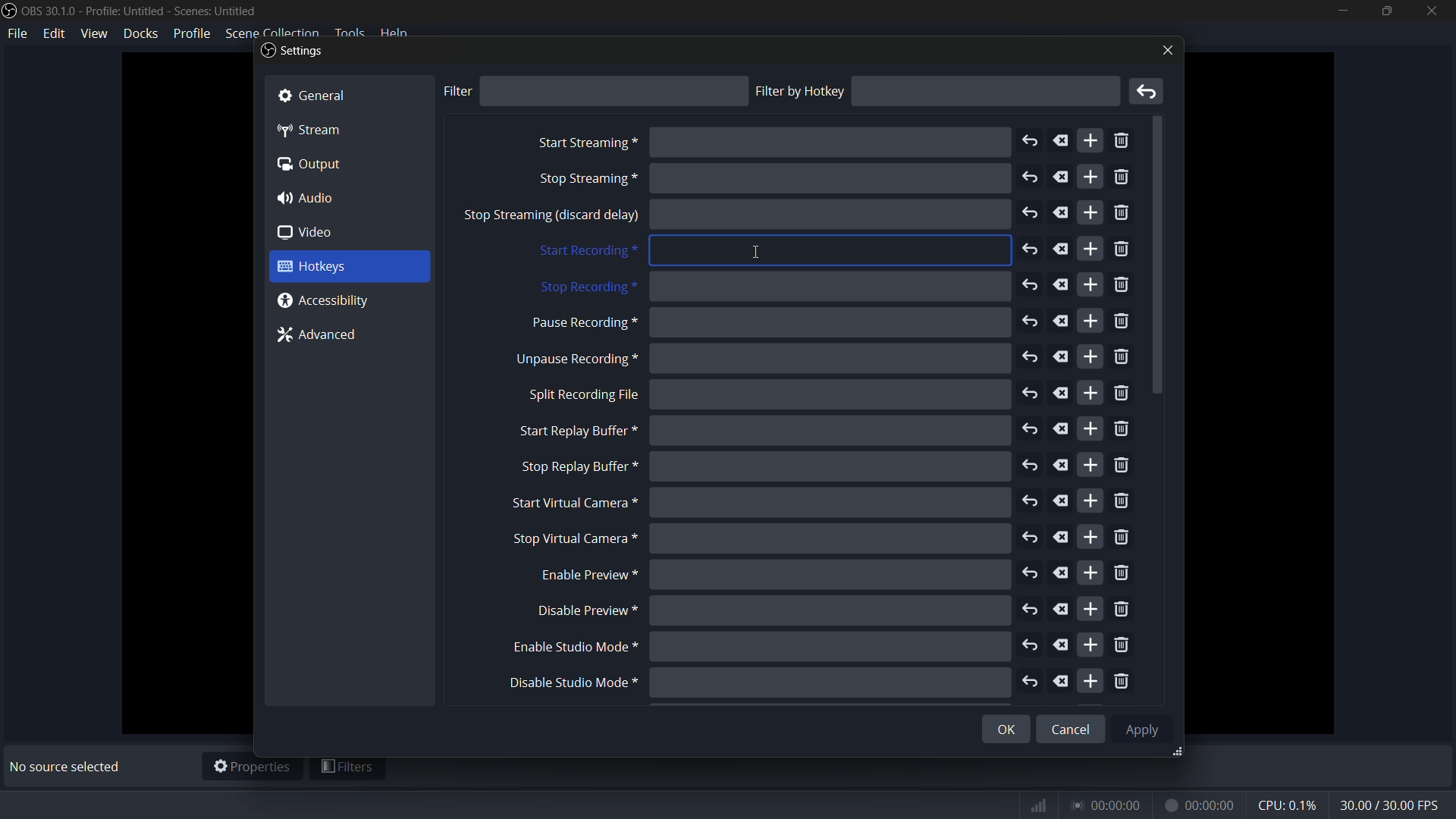 The height and width of the screenshot is (819, 1456). Describe the element at coordinates (1031, 322) in the screenshot. I see `undo` at that location.